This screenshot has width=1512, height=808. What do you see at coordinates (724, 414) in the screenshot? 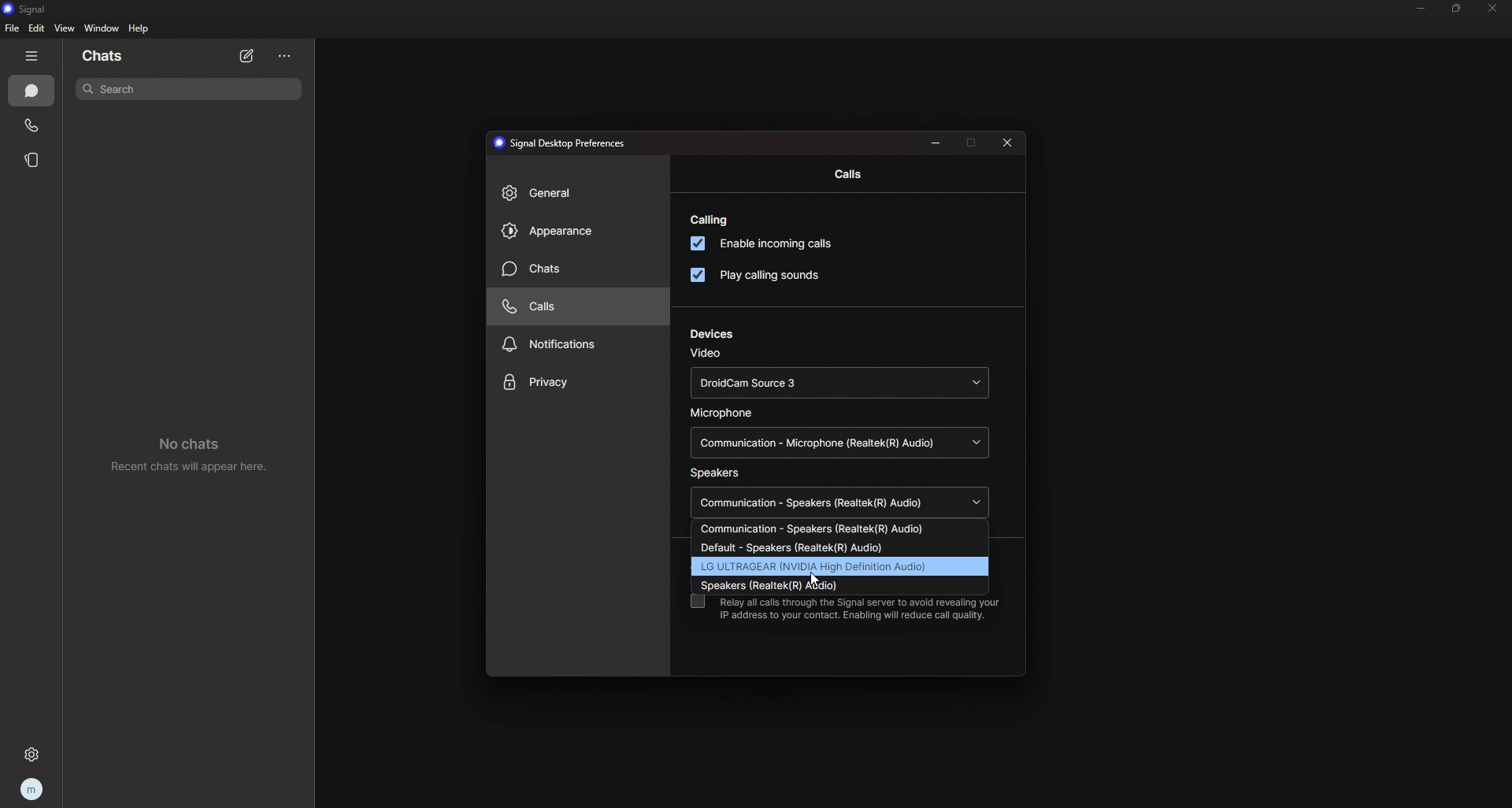
I see `microphone` at bounding box center [724, 414].